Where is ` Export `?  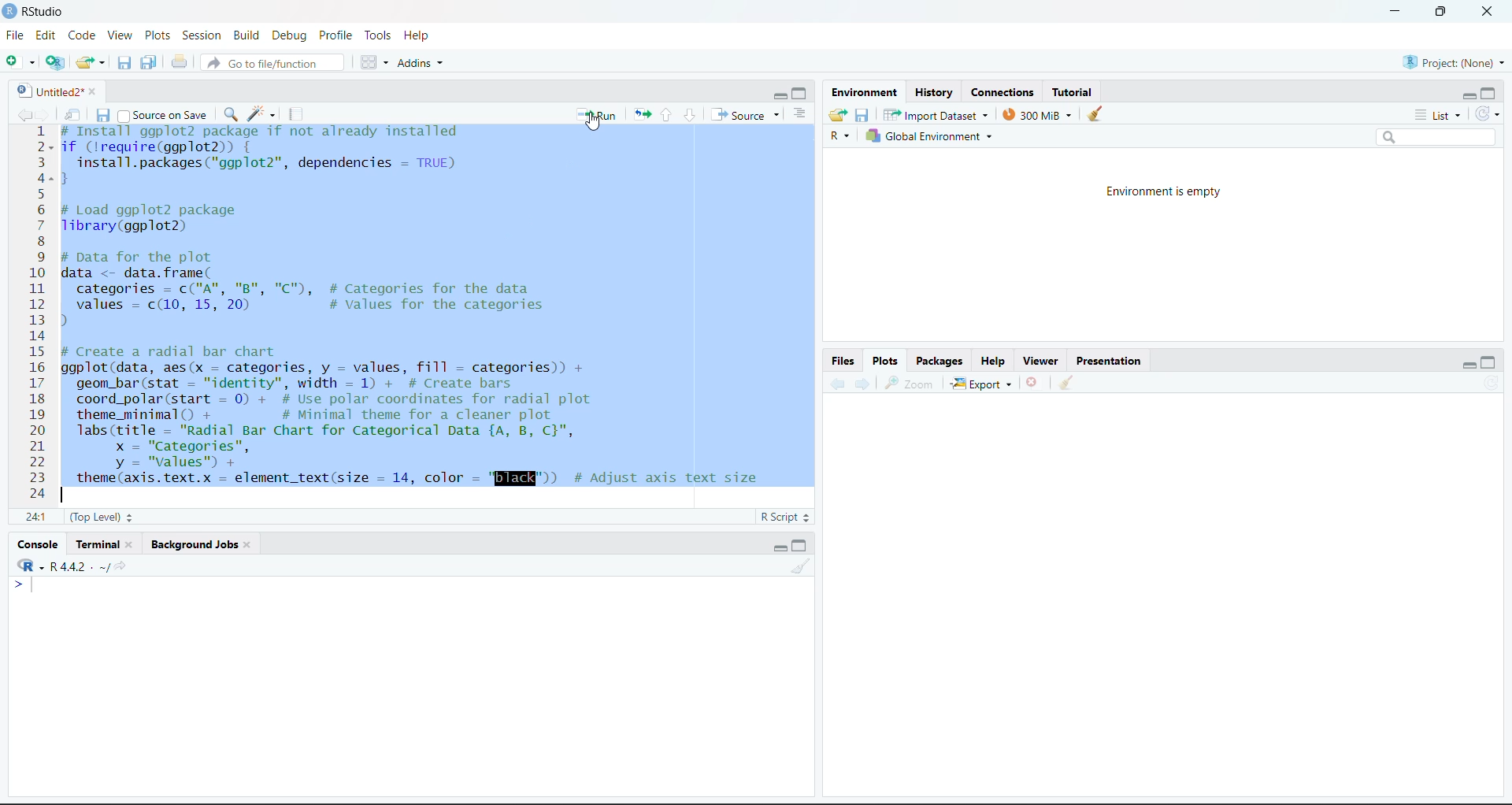  Export  is located at coordinates (980, 382).